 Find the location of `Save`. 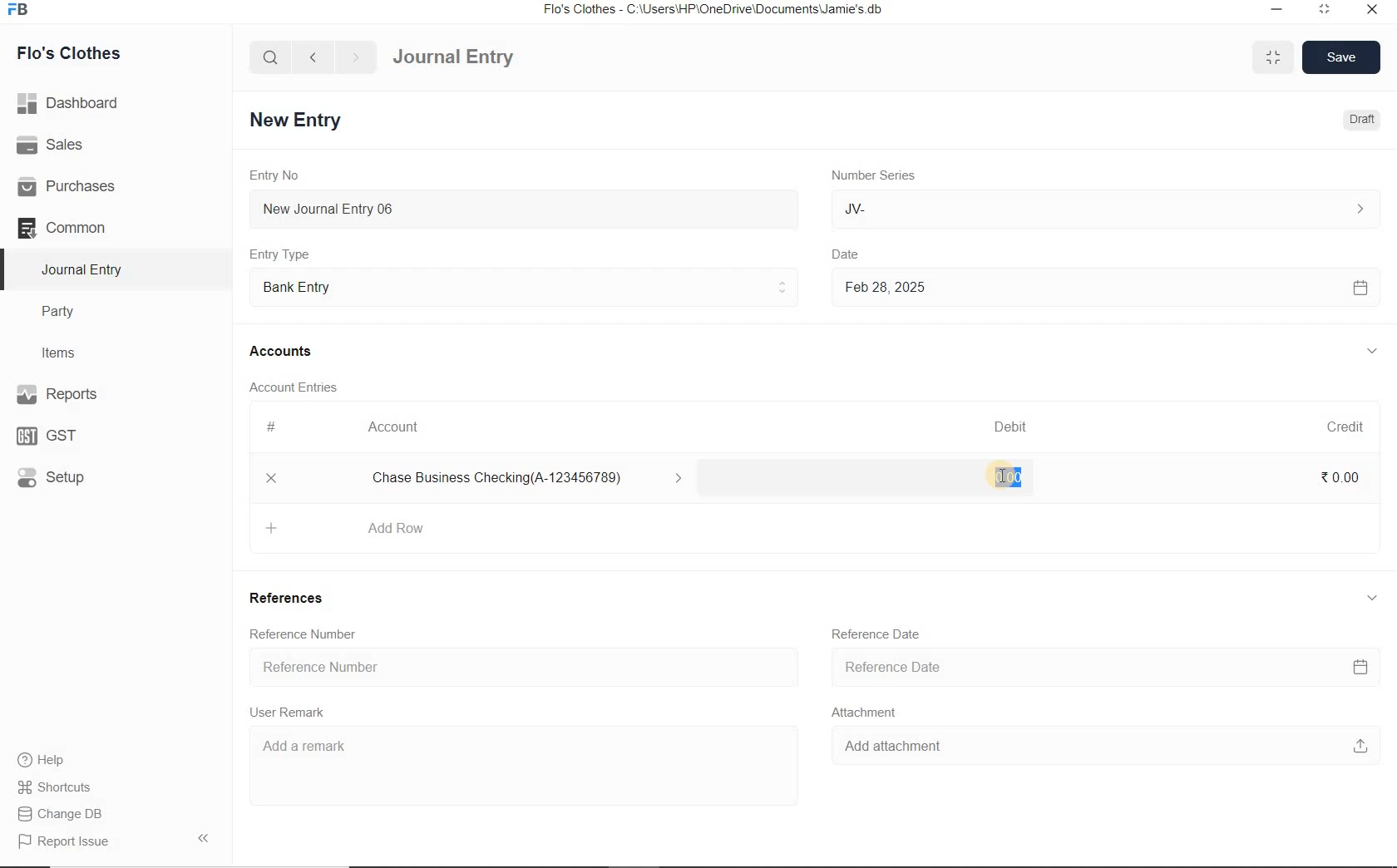

Save is located at coordinates (1342, 56).